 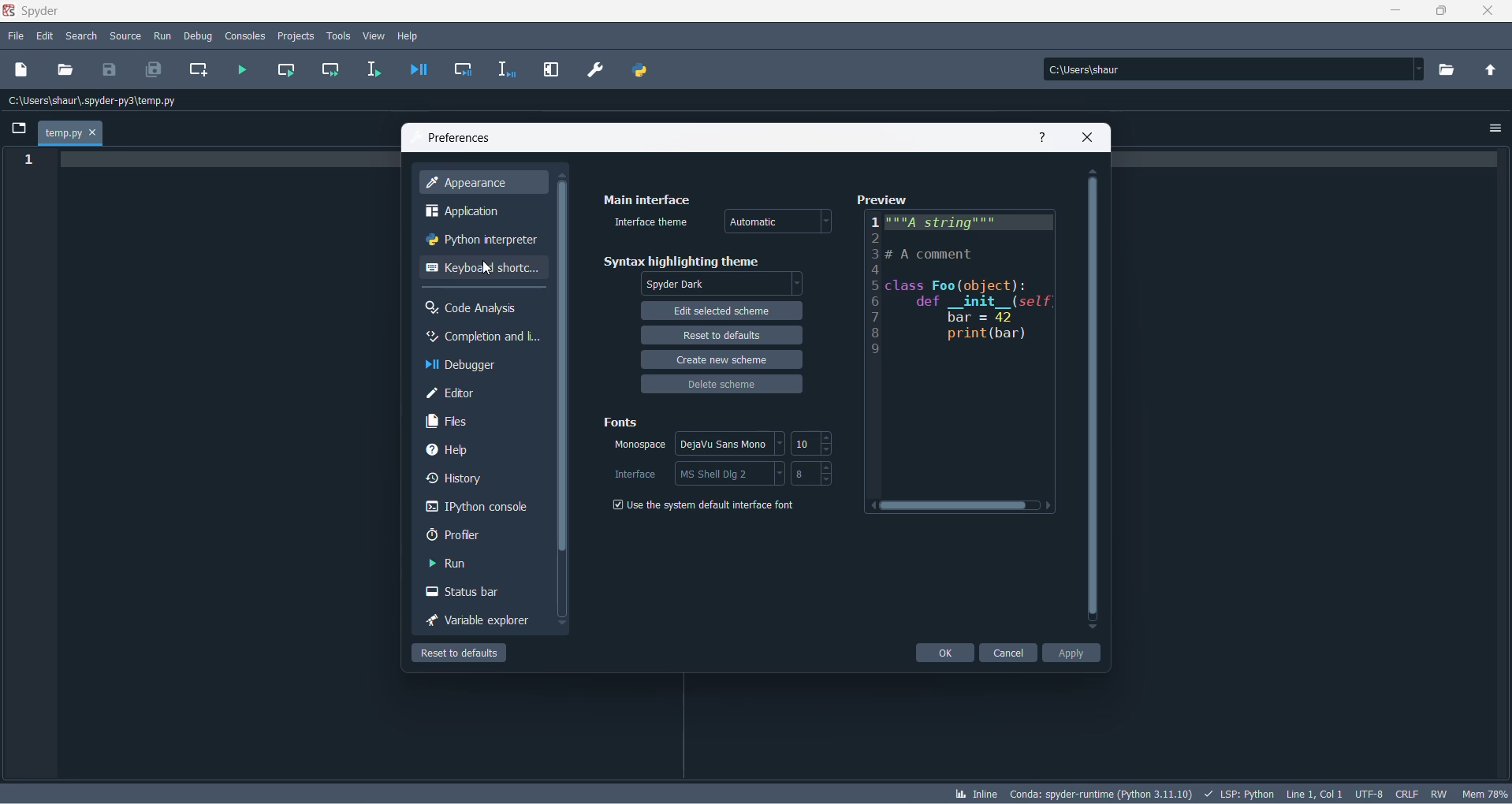 I want to click on keyboard shortcut, so click(x=486, y=266).